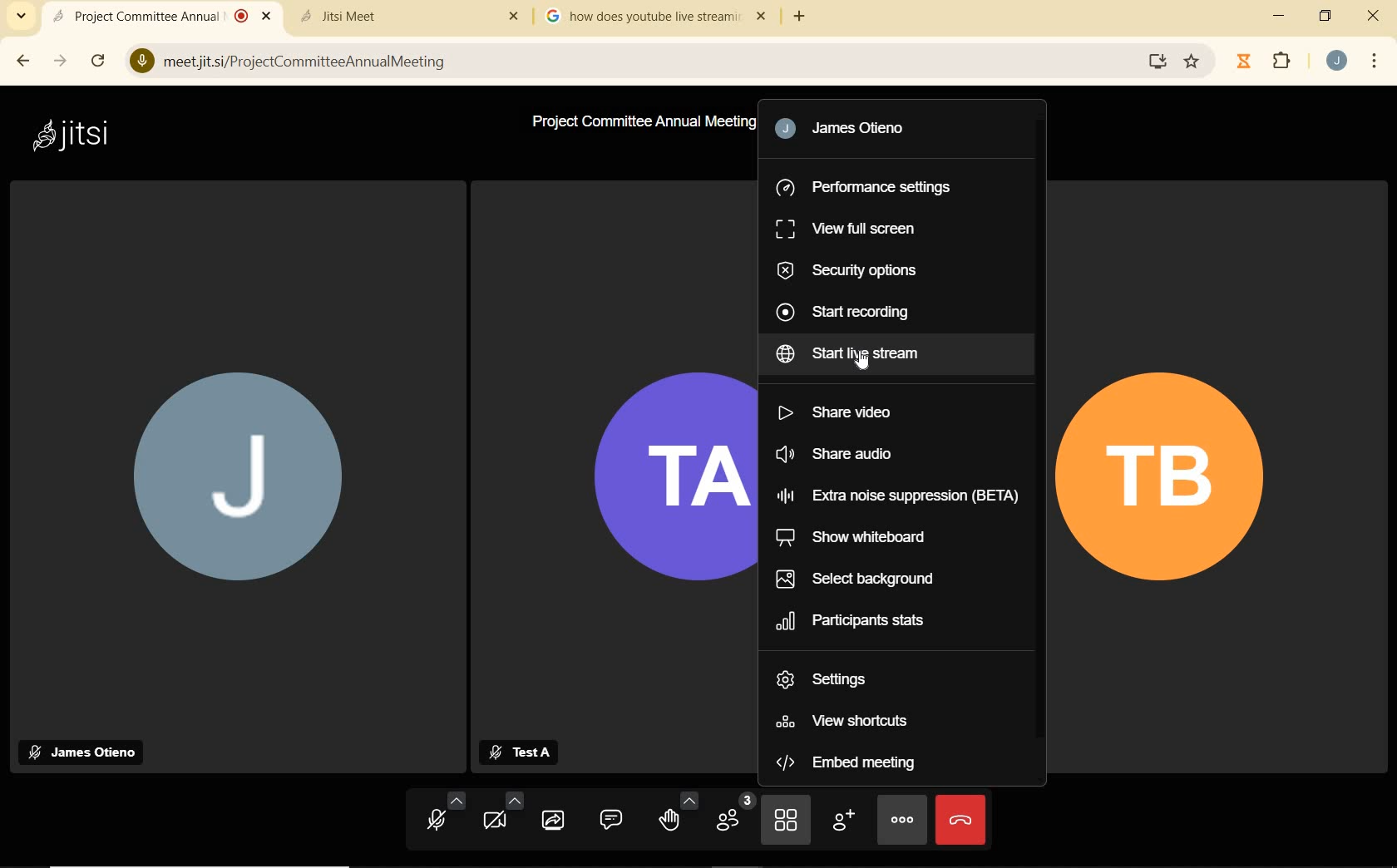 Image resolution: width=1397 pixels, height=868 pixels. I want to click on TB, so click(1177, 485).